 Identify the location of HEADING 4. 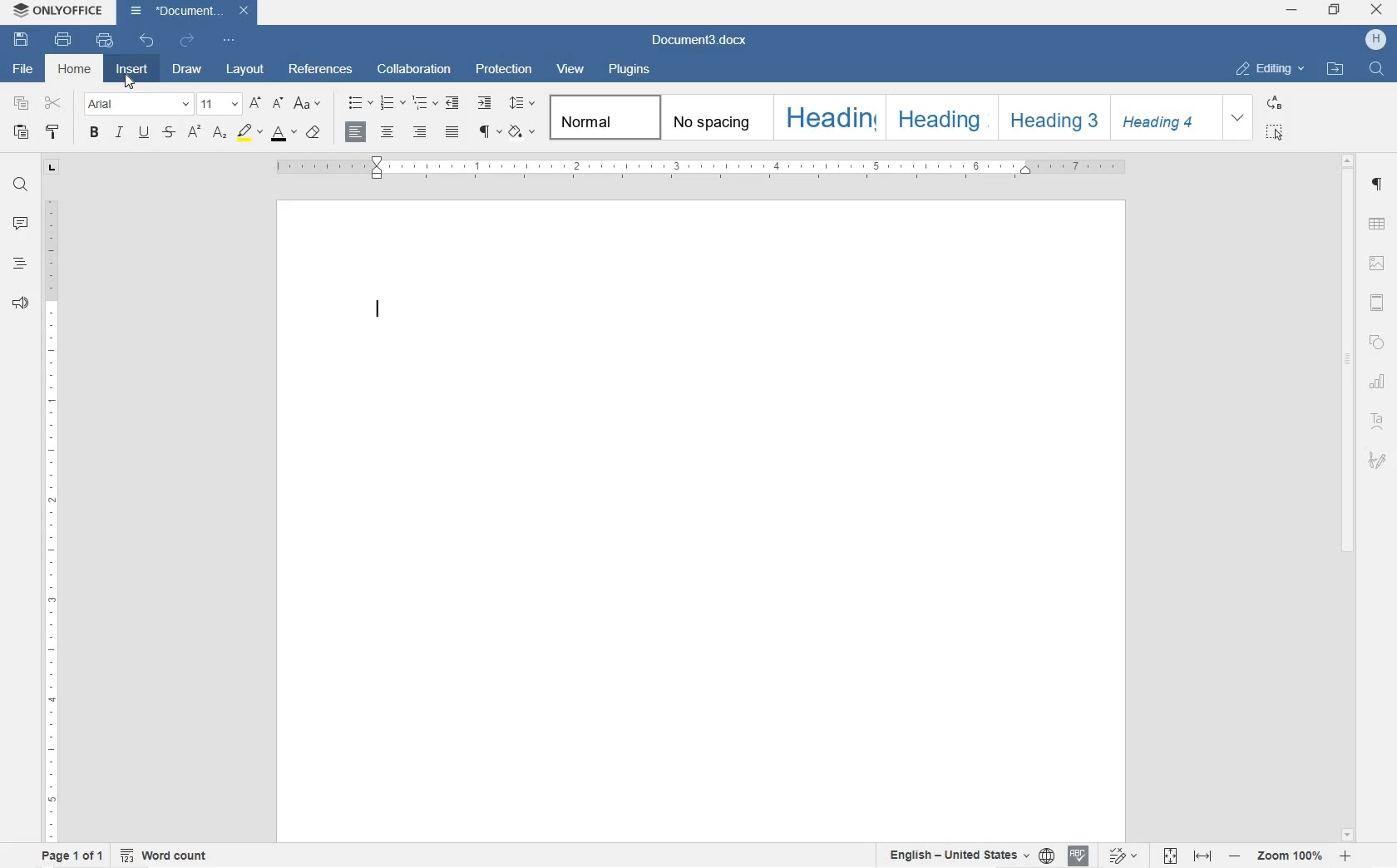
(1163, 118).